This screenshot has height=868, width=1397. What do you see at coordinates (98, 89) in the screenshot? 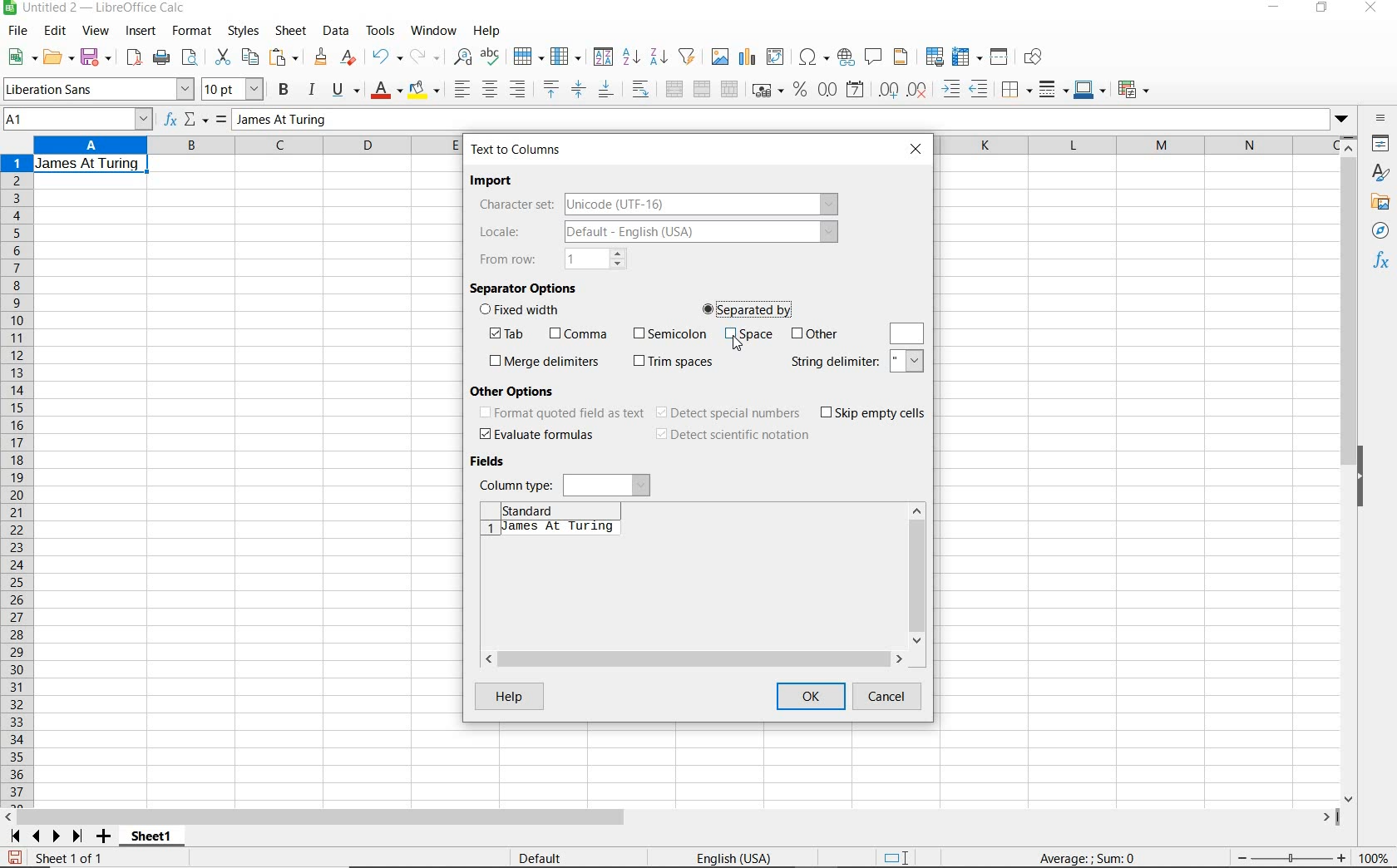
I see `font name` at bounding box center [98, 89].